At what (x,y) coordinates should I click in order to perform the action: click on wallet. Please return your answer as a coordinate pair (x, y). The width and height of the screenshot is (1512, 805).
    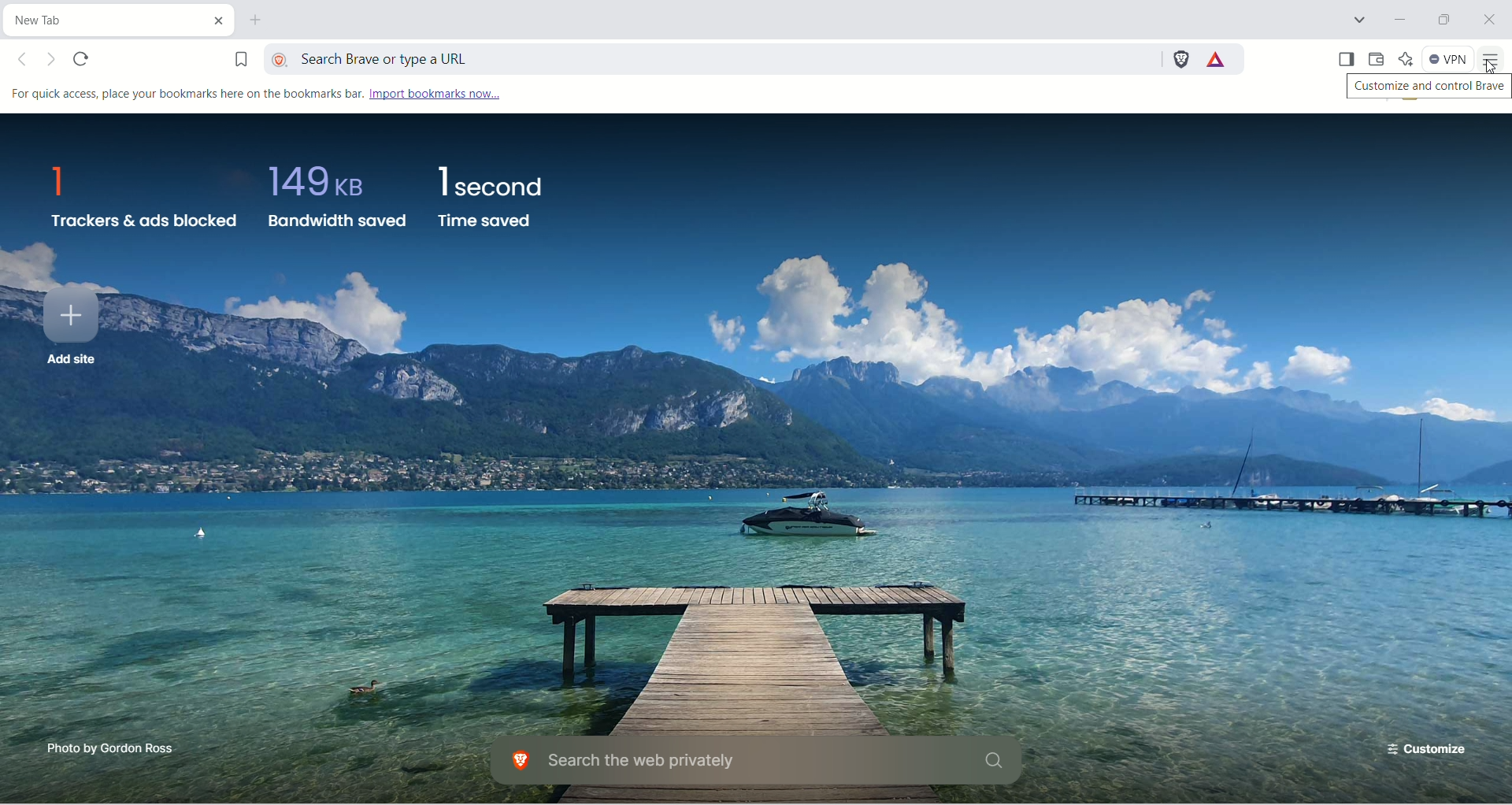
    Looking at the image, I should click on (1380, 60).